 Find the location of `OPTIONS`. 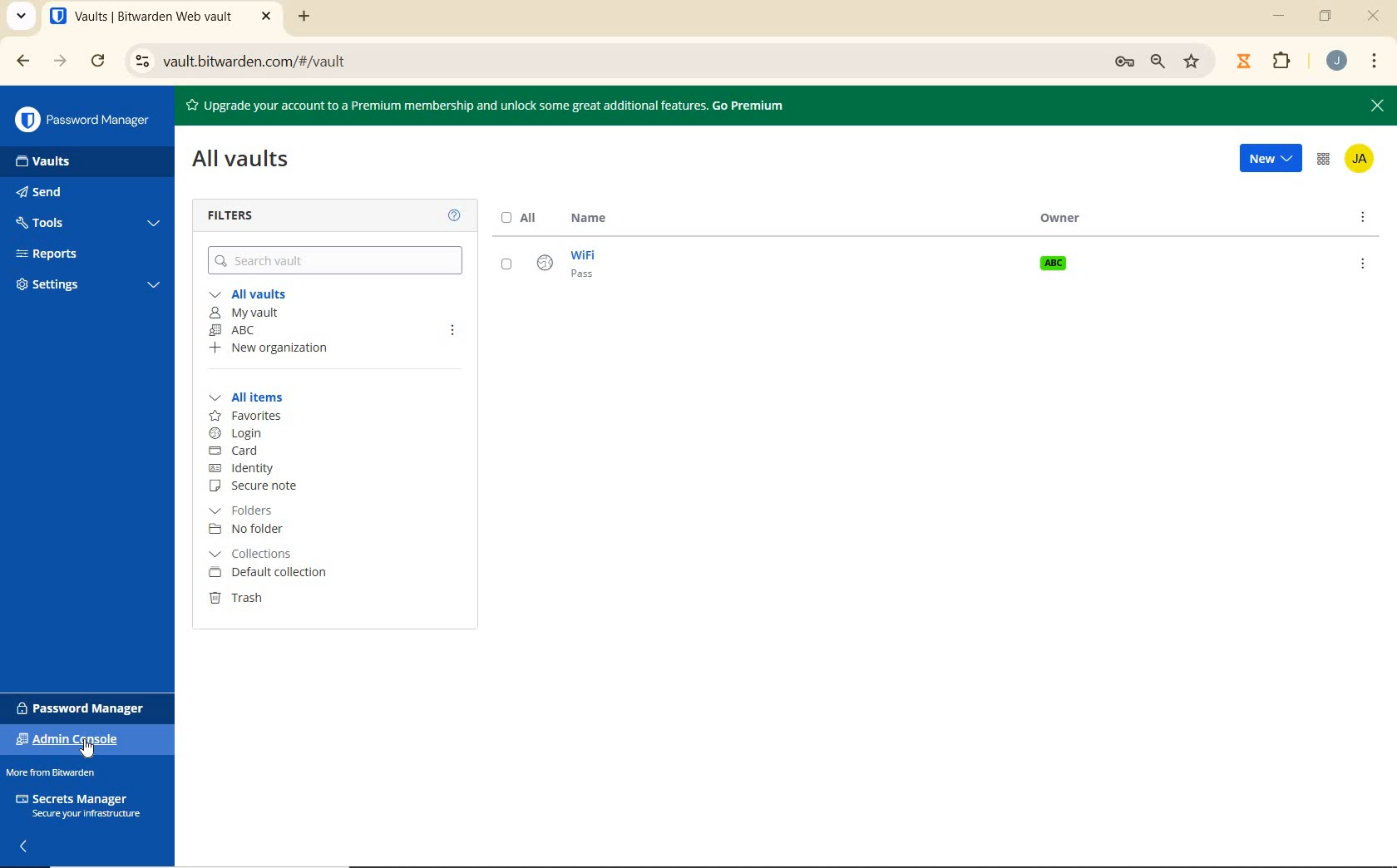

OPTIONS is located at coordinates (1364, 219).